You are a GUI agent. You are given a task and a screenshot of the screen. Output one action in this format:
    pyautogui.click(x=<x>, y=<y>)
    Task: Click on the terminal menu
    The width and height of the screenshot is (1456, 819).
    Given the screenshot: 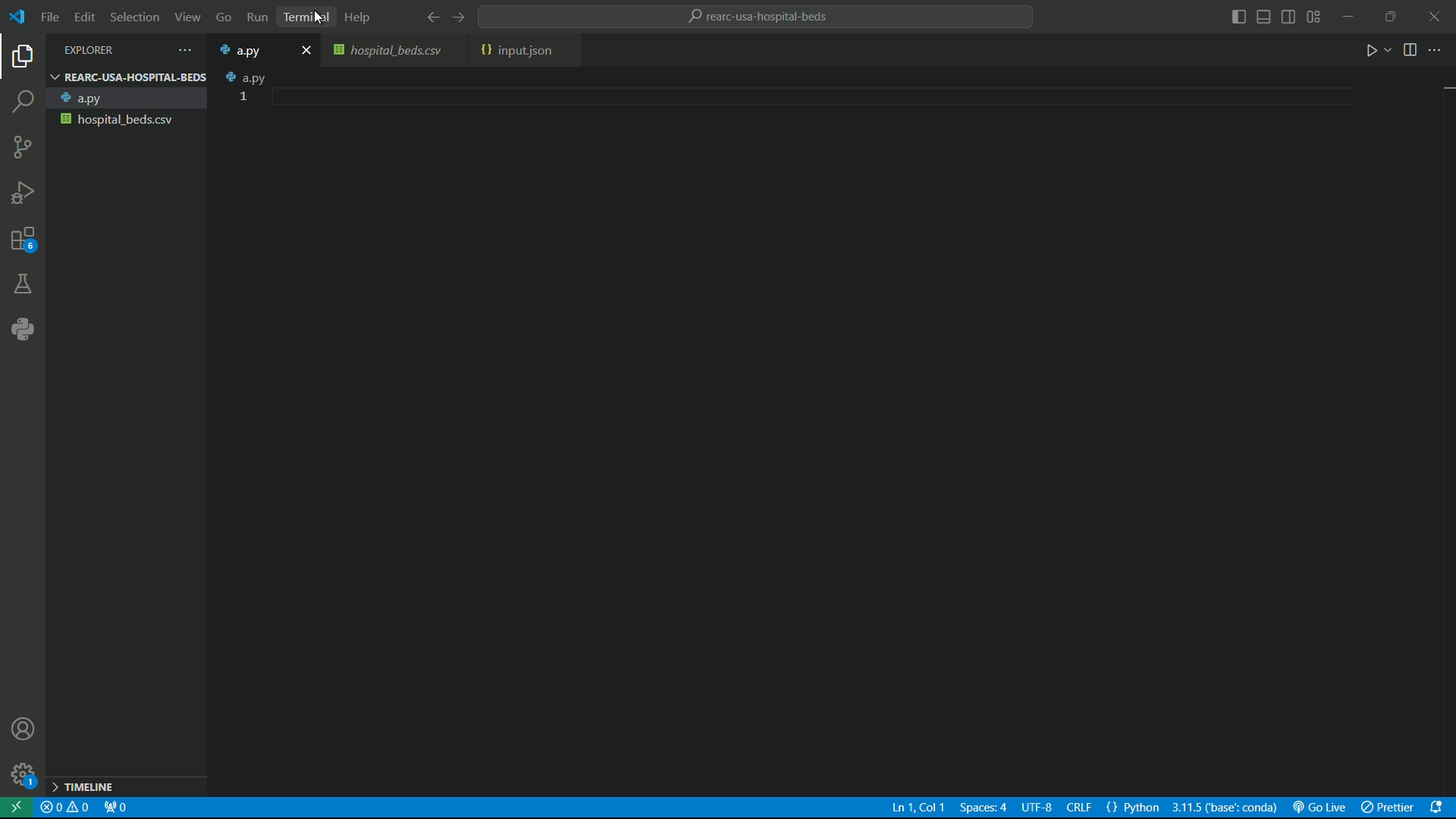 What is the action you would take?
    pyautogui.click(x=304, y=16)
    